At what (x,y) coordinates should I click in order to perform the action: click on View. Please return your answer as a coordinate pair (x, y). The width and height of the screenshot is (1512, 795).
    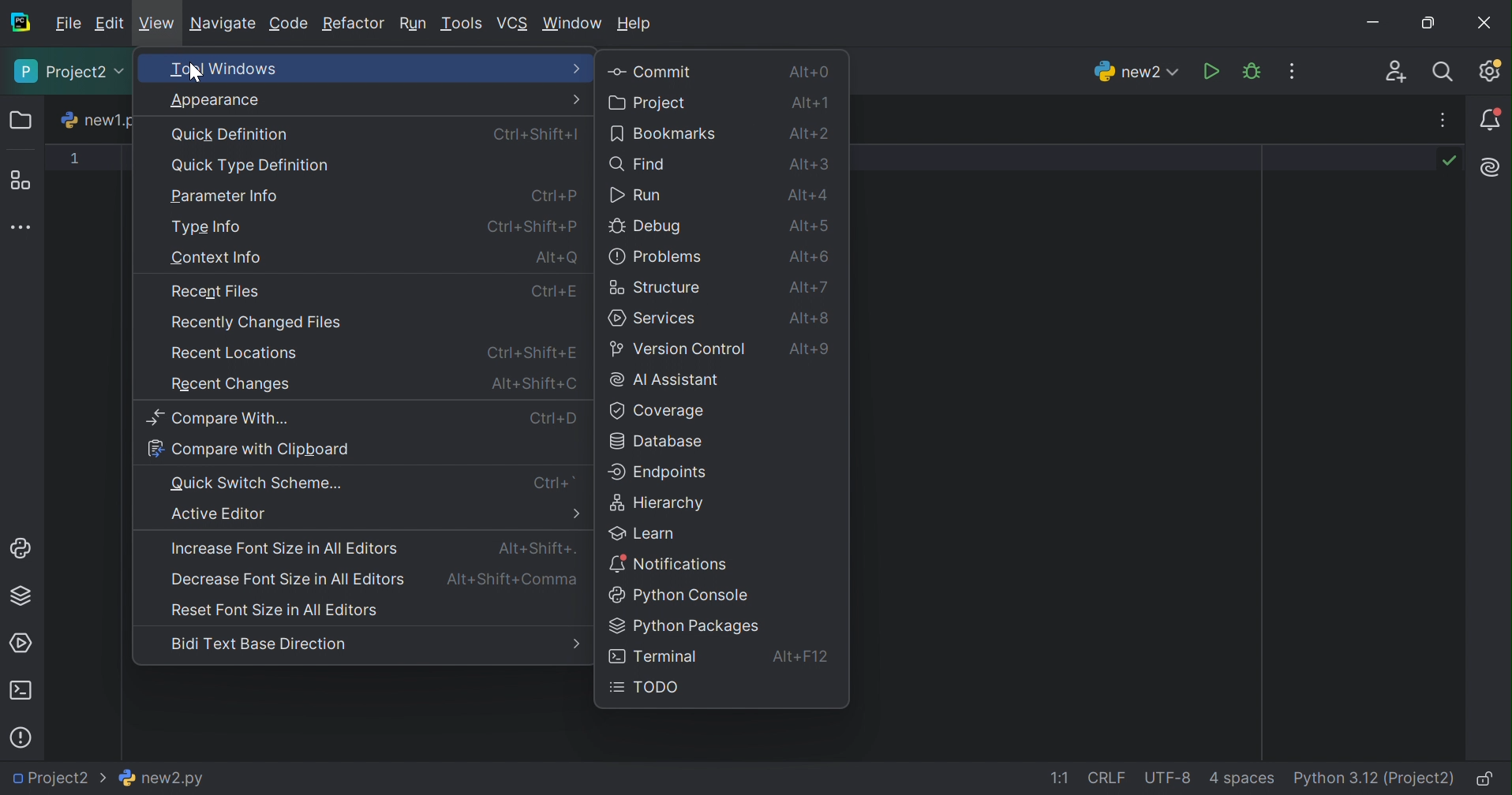
    Looking at the image, I should click on (156, 25).